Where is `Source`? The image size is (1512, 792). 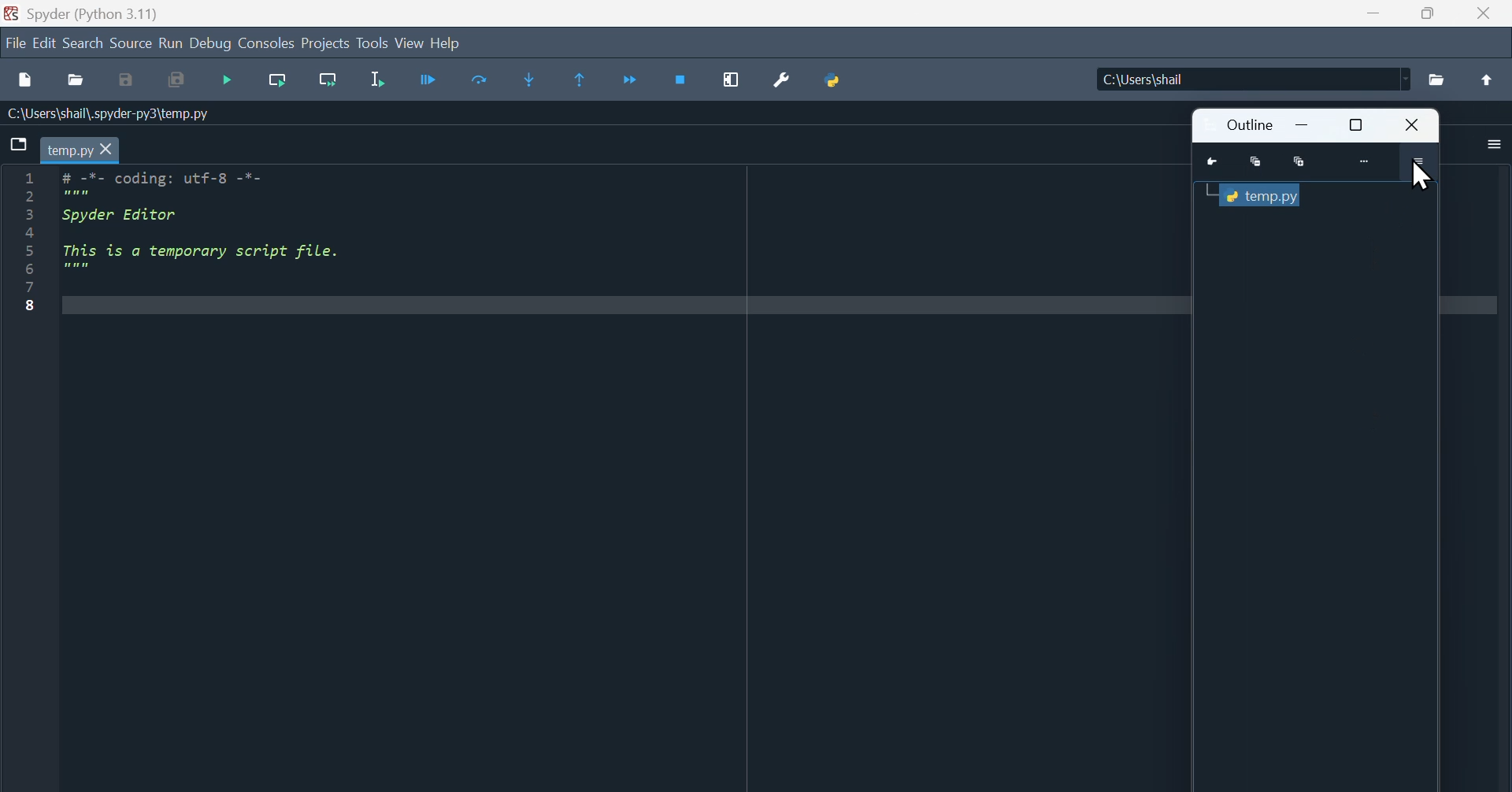
Source is located at coordinates (131, 41).